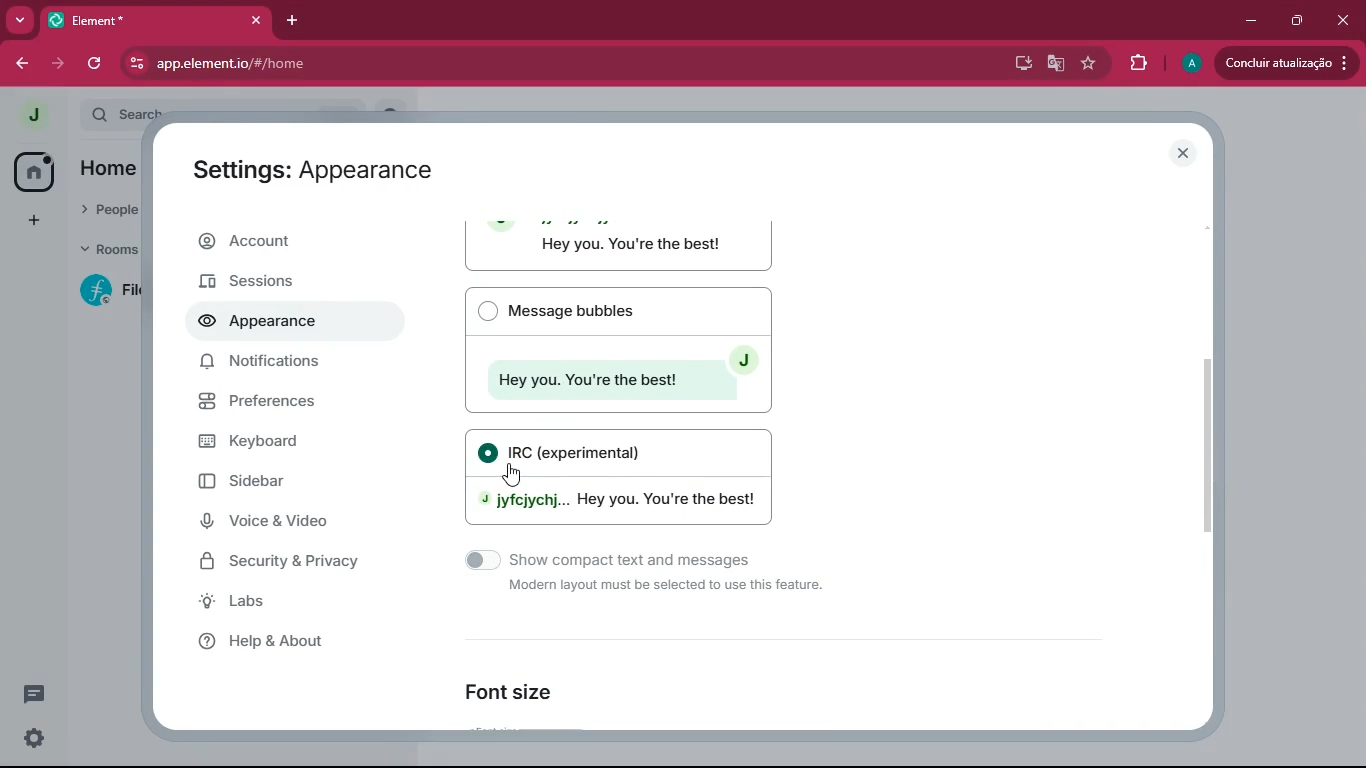 This screenshot has height=768, width=1366. I want to click on scroll bar, so click(1209, 436).